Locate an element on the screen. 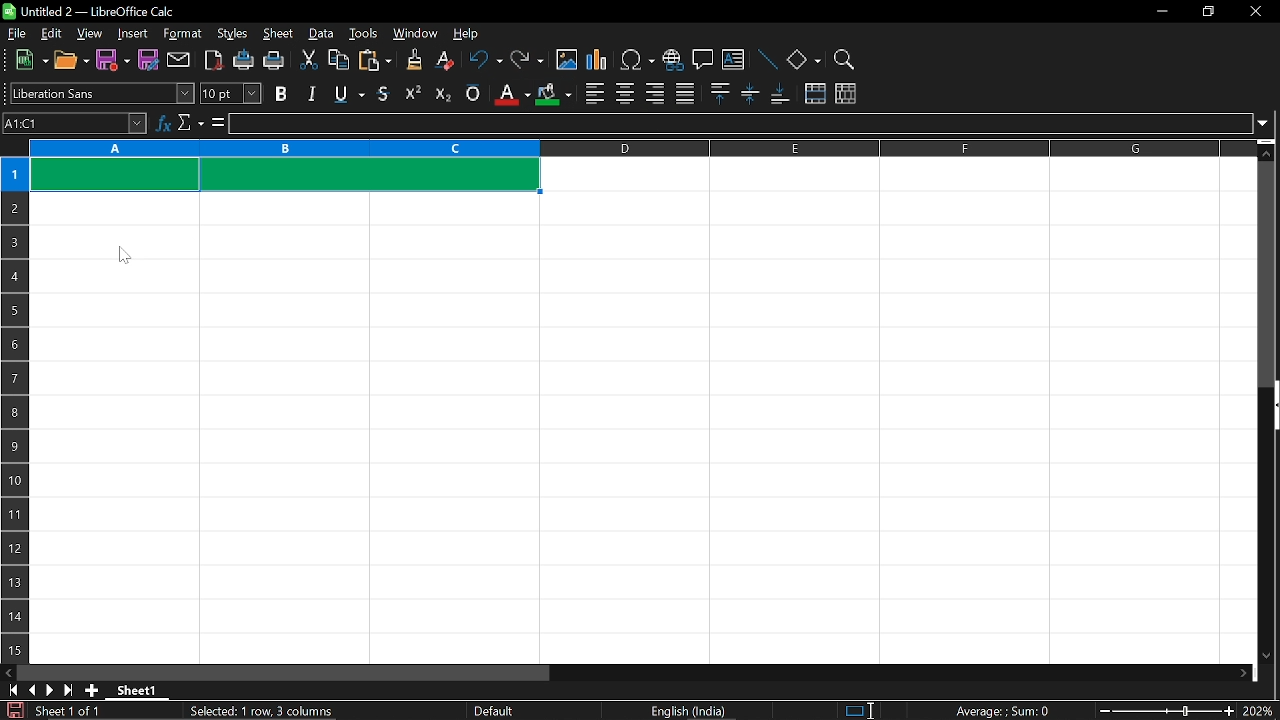  Selected: 1 row, 3 columns is located at coordinates (264, 709).